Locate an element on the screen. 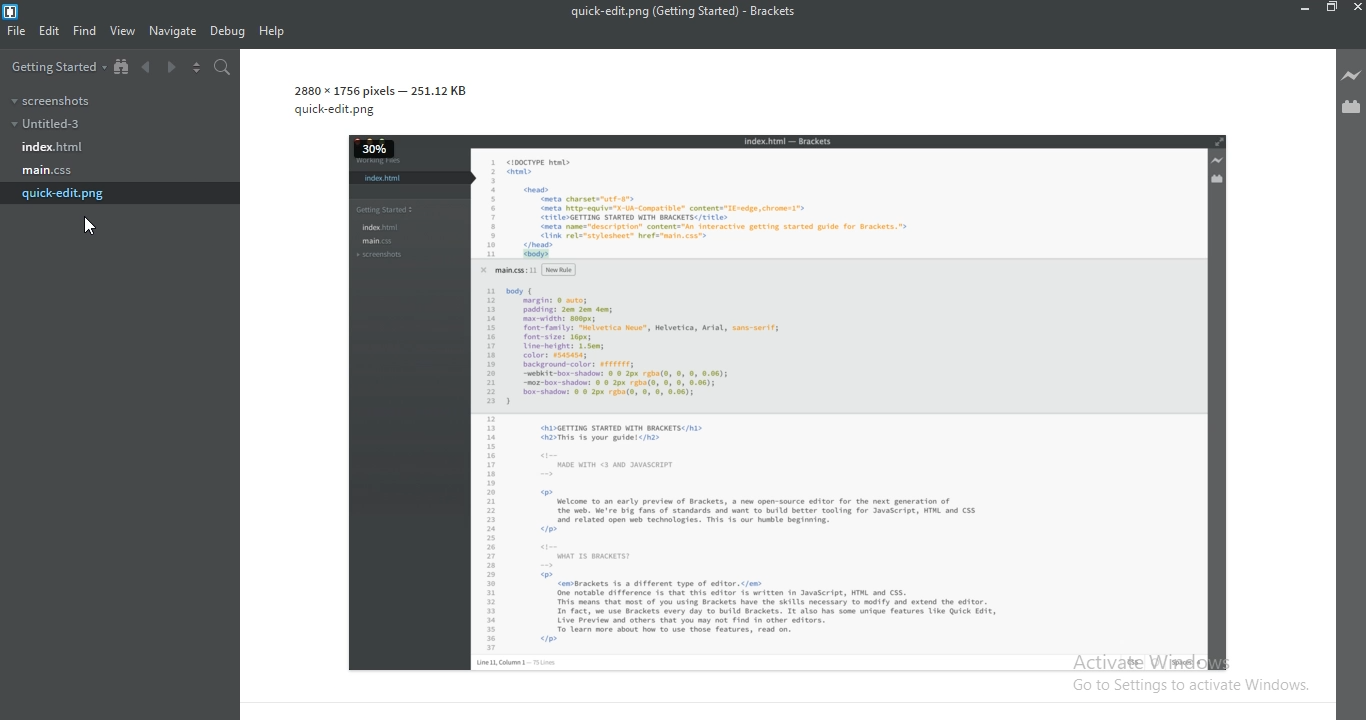  quick-edit.png image is located at coordinates (770, 382).